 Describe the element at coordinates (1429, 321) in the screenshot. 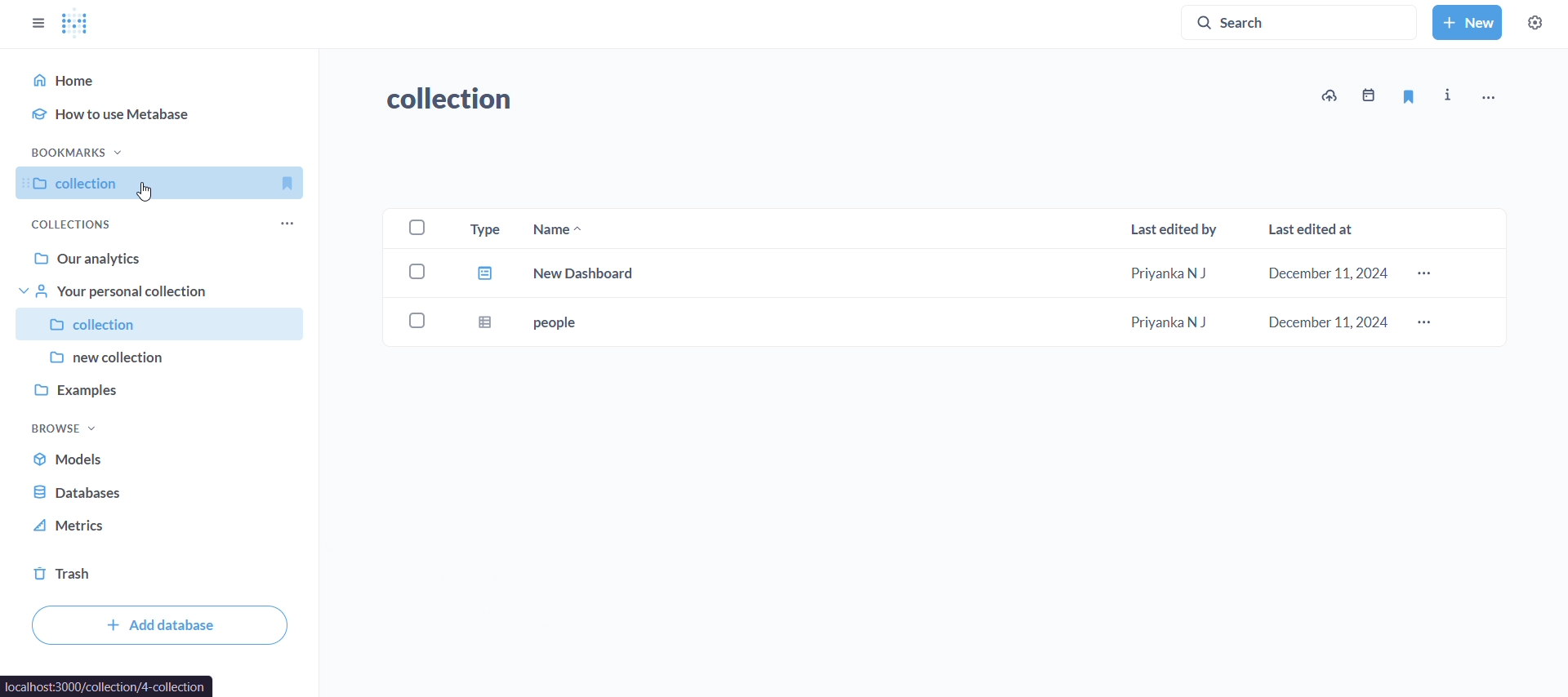

I see `more options` at that location.